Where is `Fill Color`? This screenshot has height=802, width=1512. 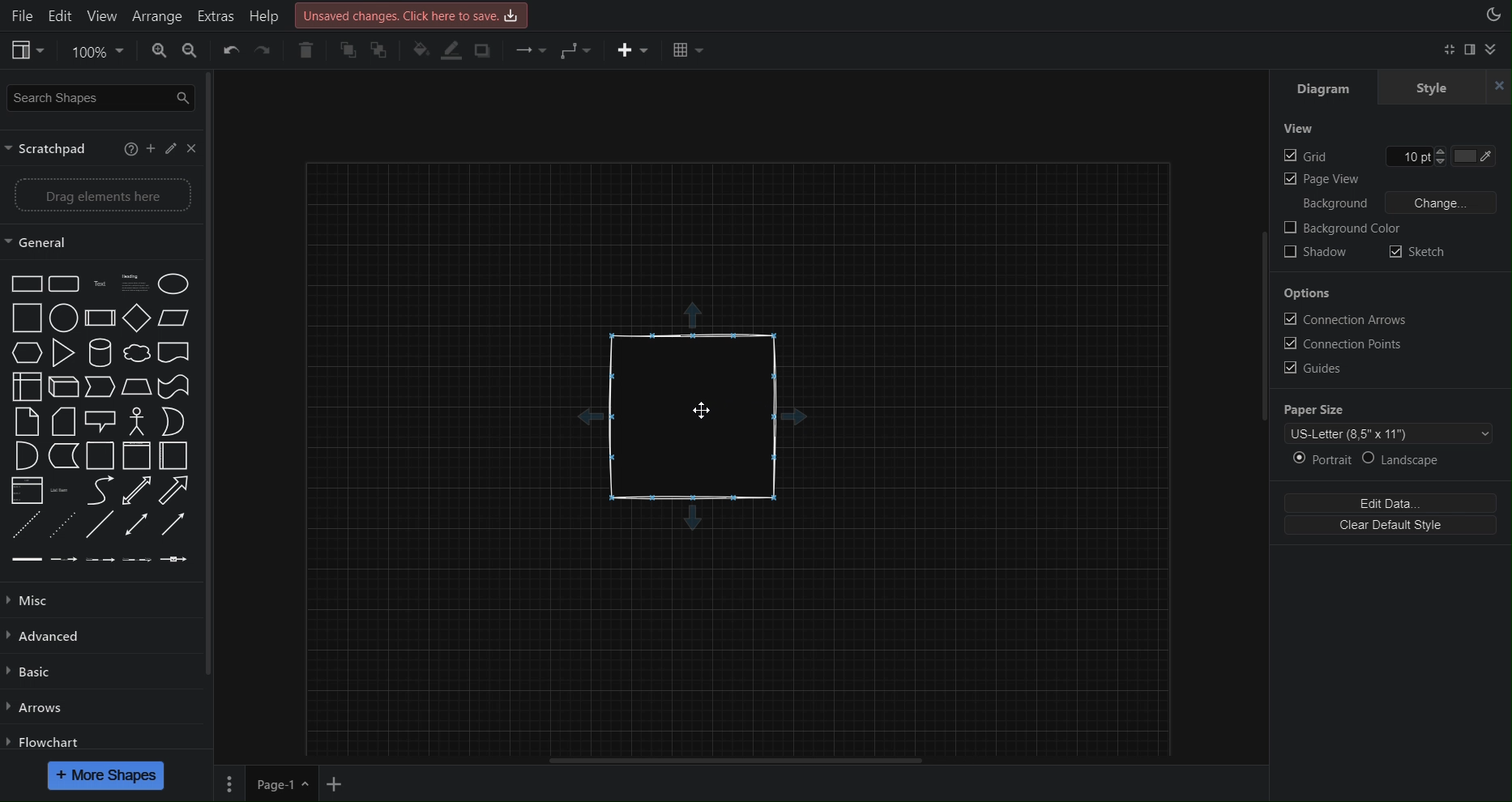
Fill Color is located at coordinates (420, 50).